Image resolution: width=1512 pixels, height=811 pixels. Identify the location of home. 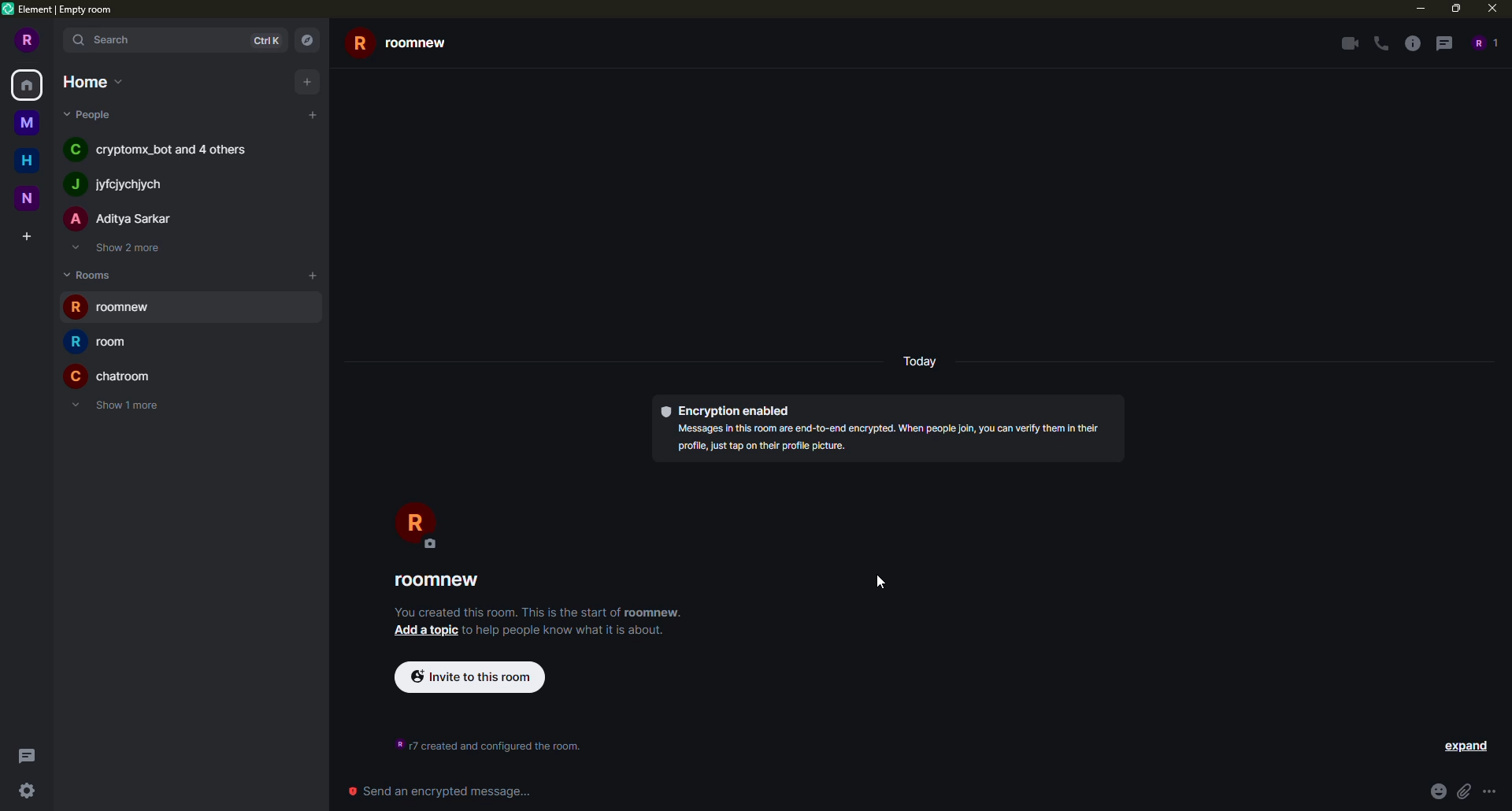
(31, 161).